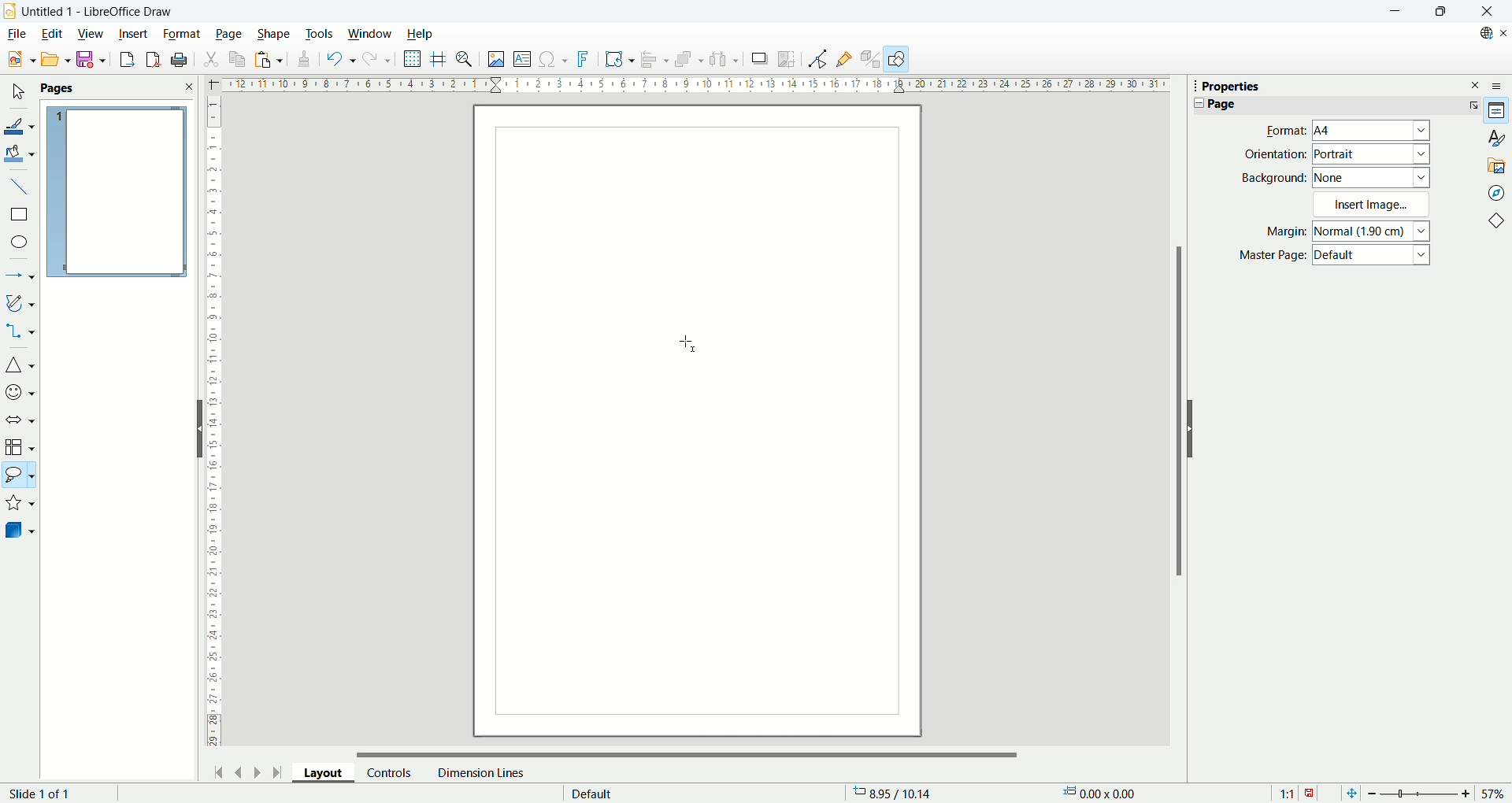  What do you see at coordinates (1221, 104) in the screenshot?
I see `Page` at bounding box center [1221, 104].